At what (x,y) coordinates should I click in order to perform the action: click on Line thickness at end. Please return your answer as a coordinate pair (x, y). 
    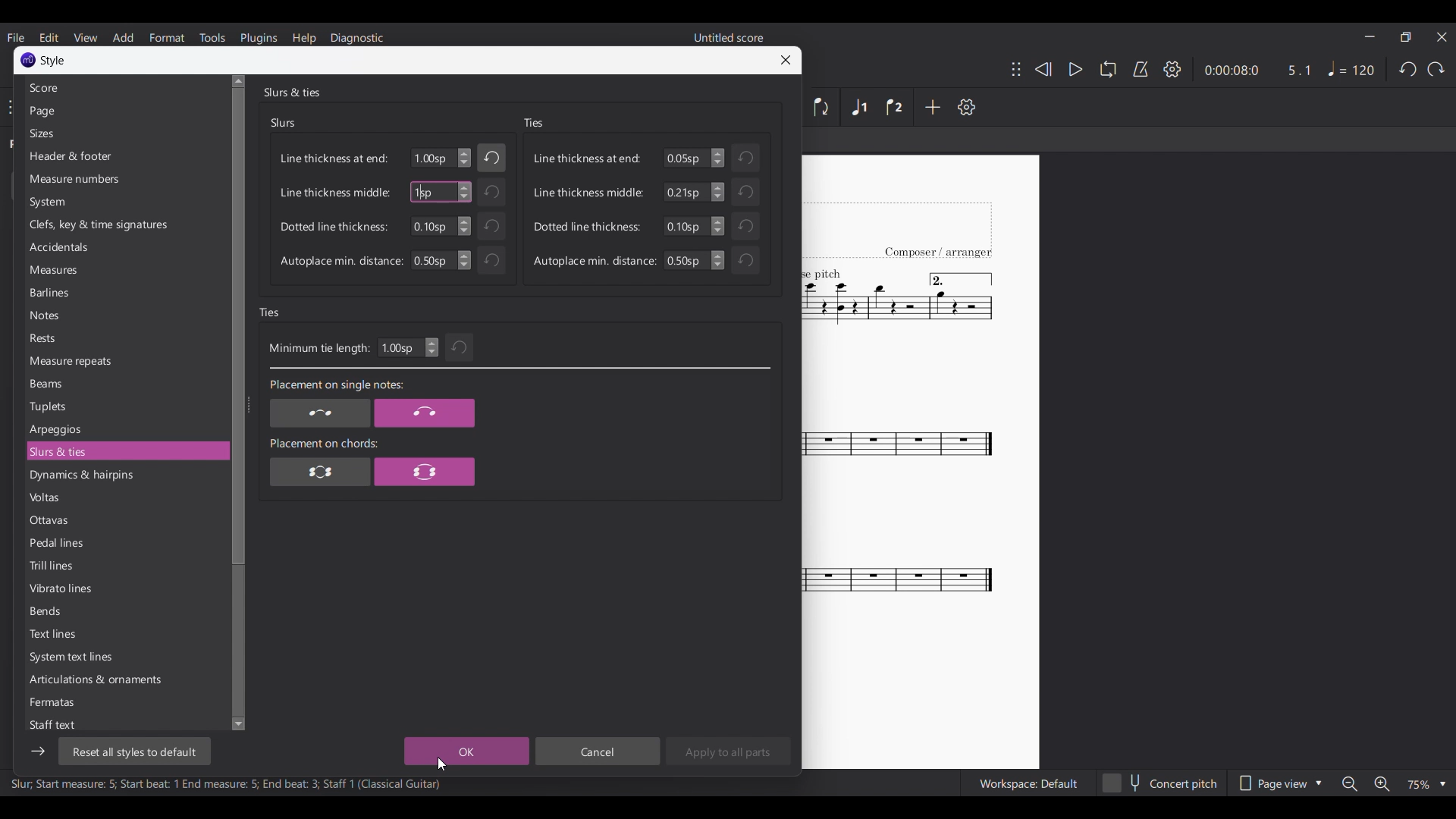
    Looking at the image, I should click on (588, 158).